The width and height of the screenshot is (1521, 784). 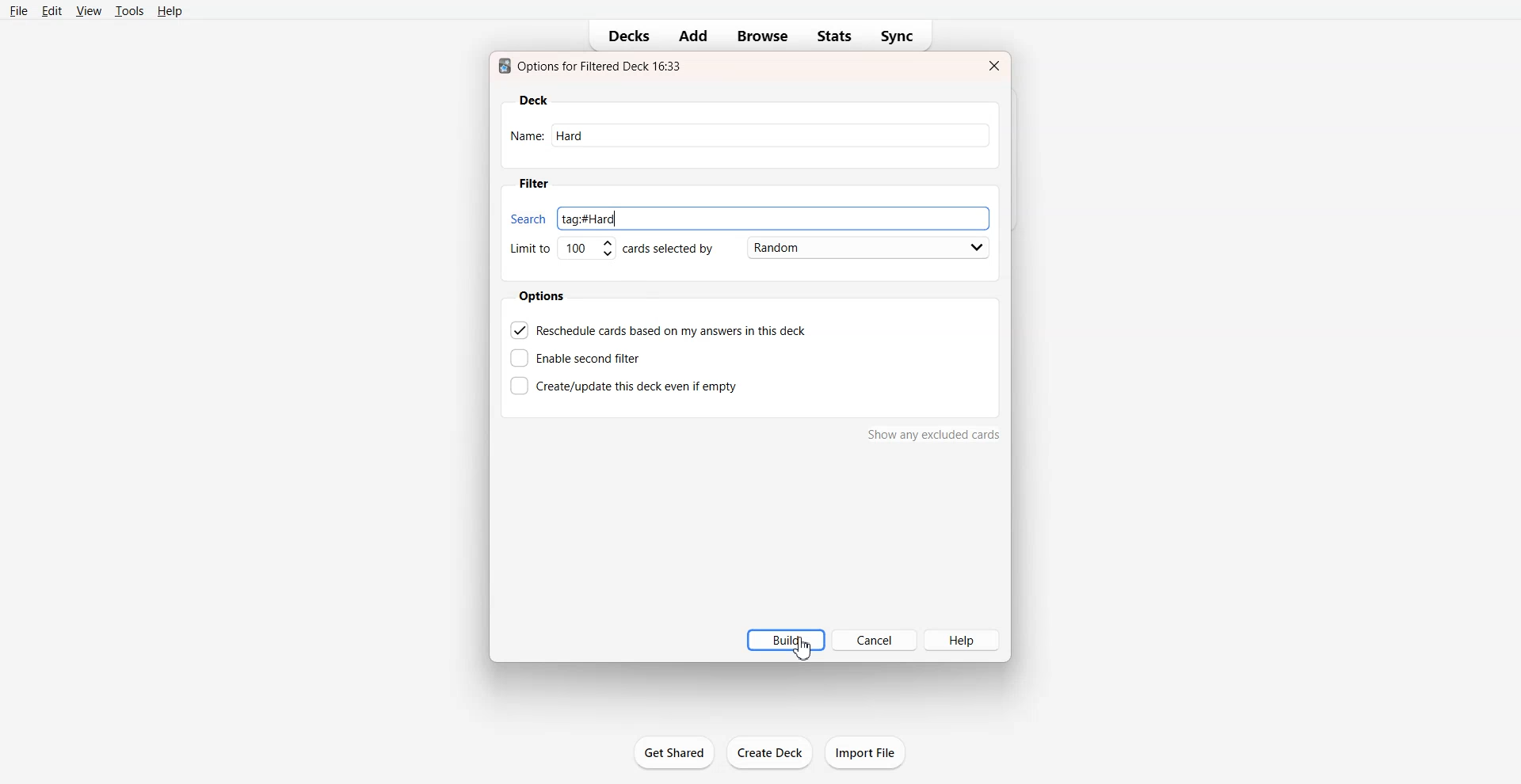 I want to click on Enable second filter, so click(x=581, y=358).